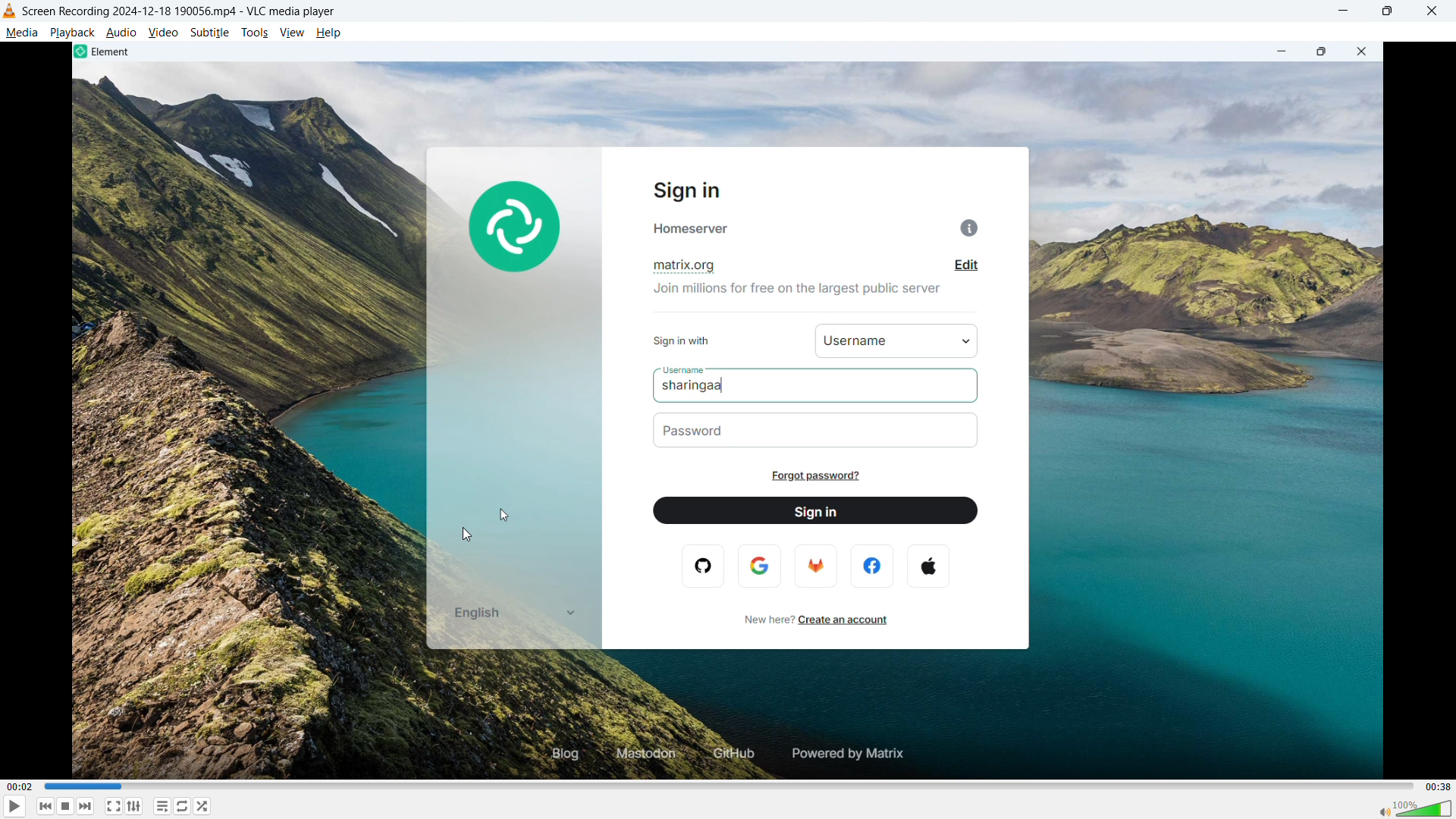 This screenshot has height=819, width=1456. I want to click on Element logo, so click(513, 224).